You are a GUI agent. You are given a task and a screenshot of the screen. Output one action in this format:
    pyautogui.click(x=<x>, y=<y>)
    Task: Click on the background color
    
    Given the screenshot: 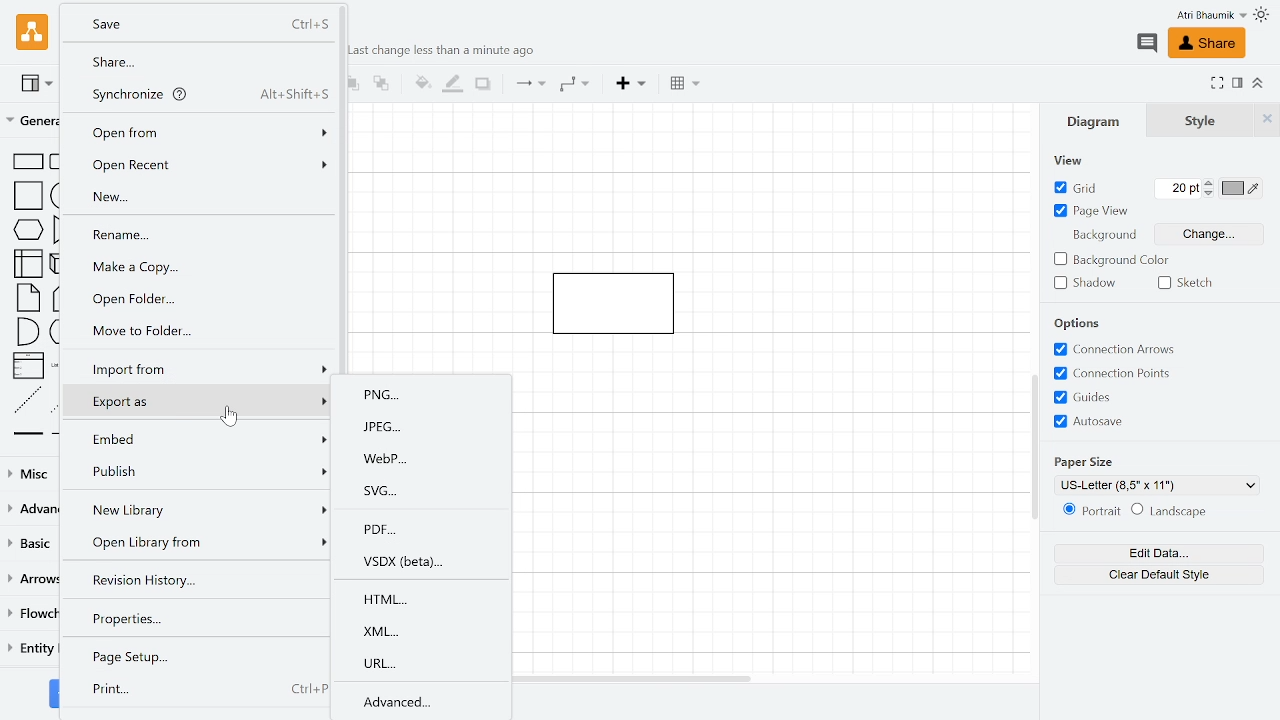 What is the action you would take?
    pyautogui.click(x=1110, y=261)
    